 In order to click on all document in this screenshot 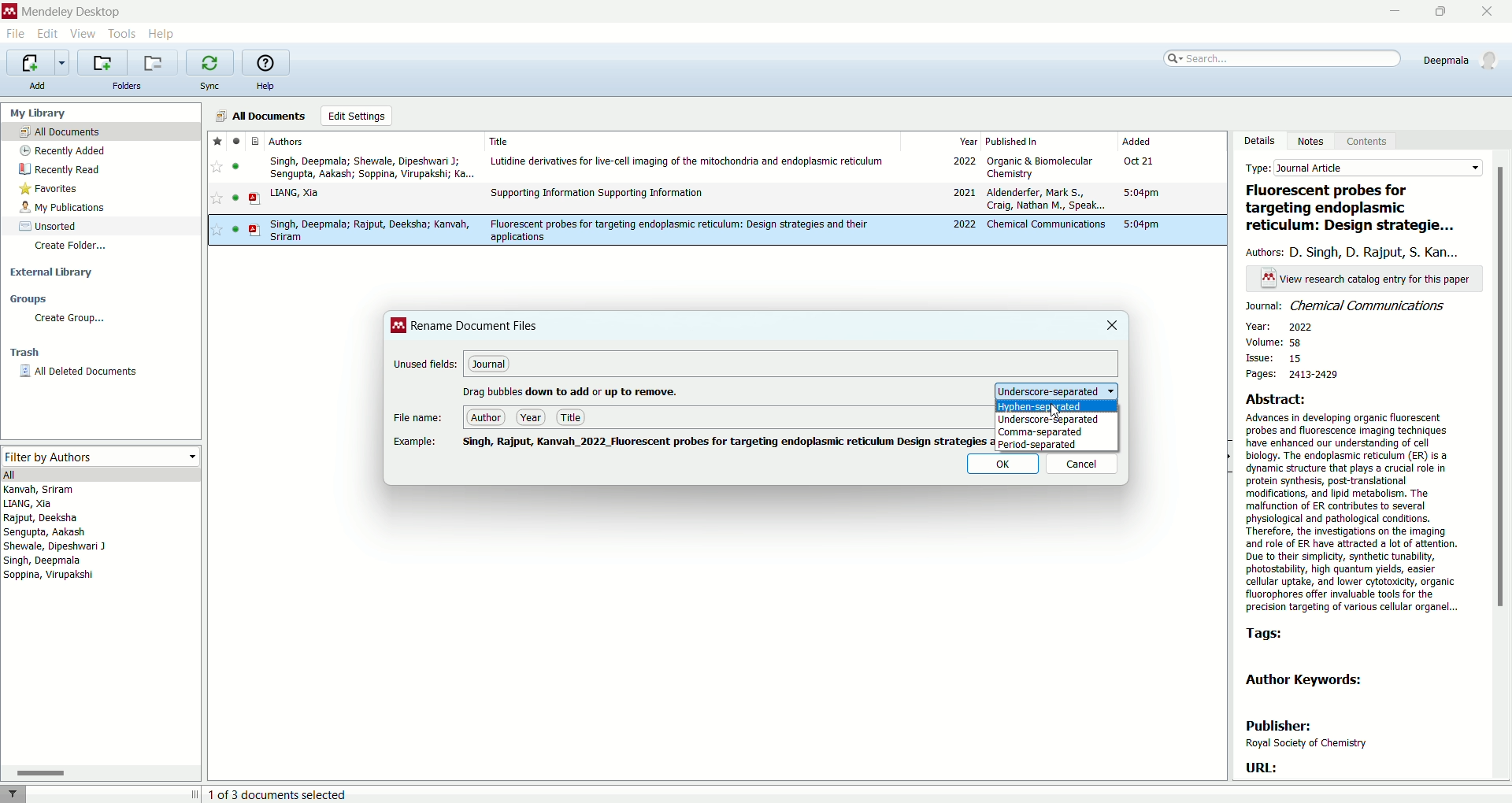, I will do `click(102, 131)`.